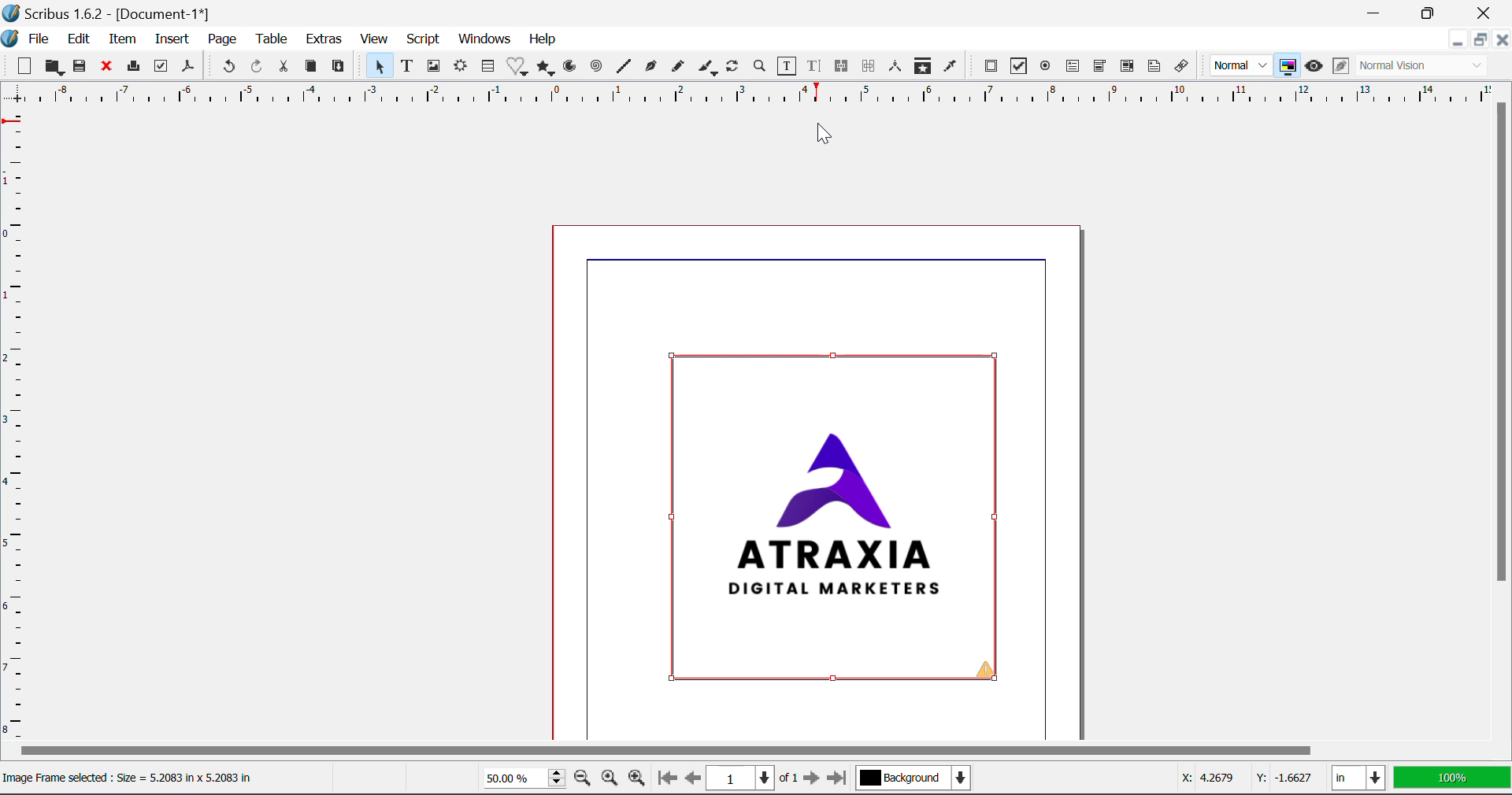 The image size is (1512, 795). What do you see at coordinates (122, 39) in the screenshot?
I see `Item` at bounding box center [122, 39].